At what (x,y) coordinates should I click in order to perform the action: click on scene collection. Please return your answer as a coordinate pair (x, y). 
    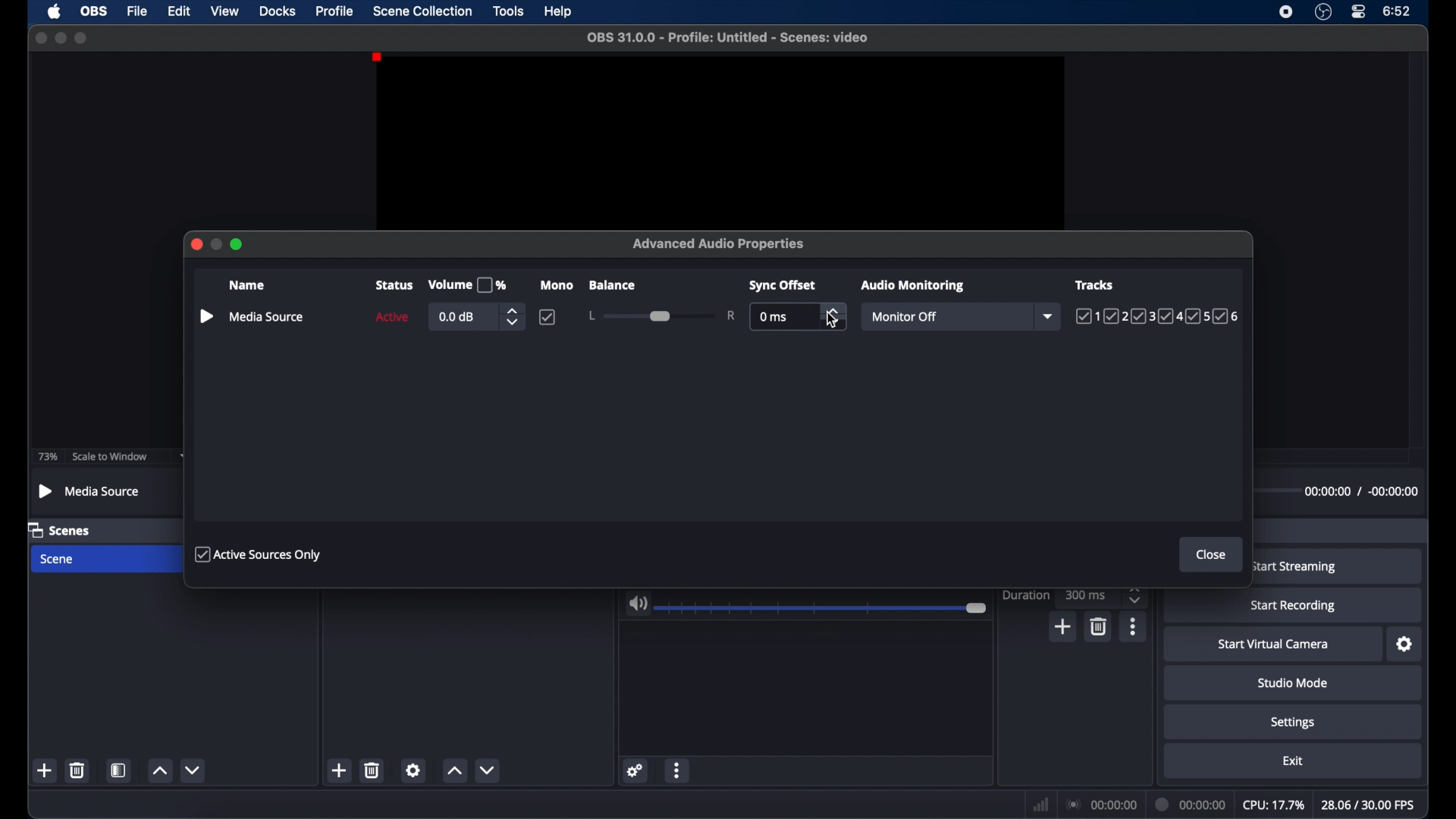
    Looking at the image, I should click on (422, 10).